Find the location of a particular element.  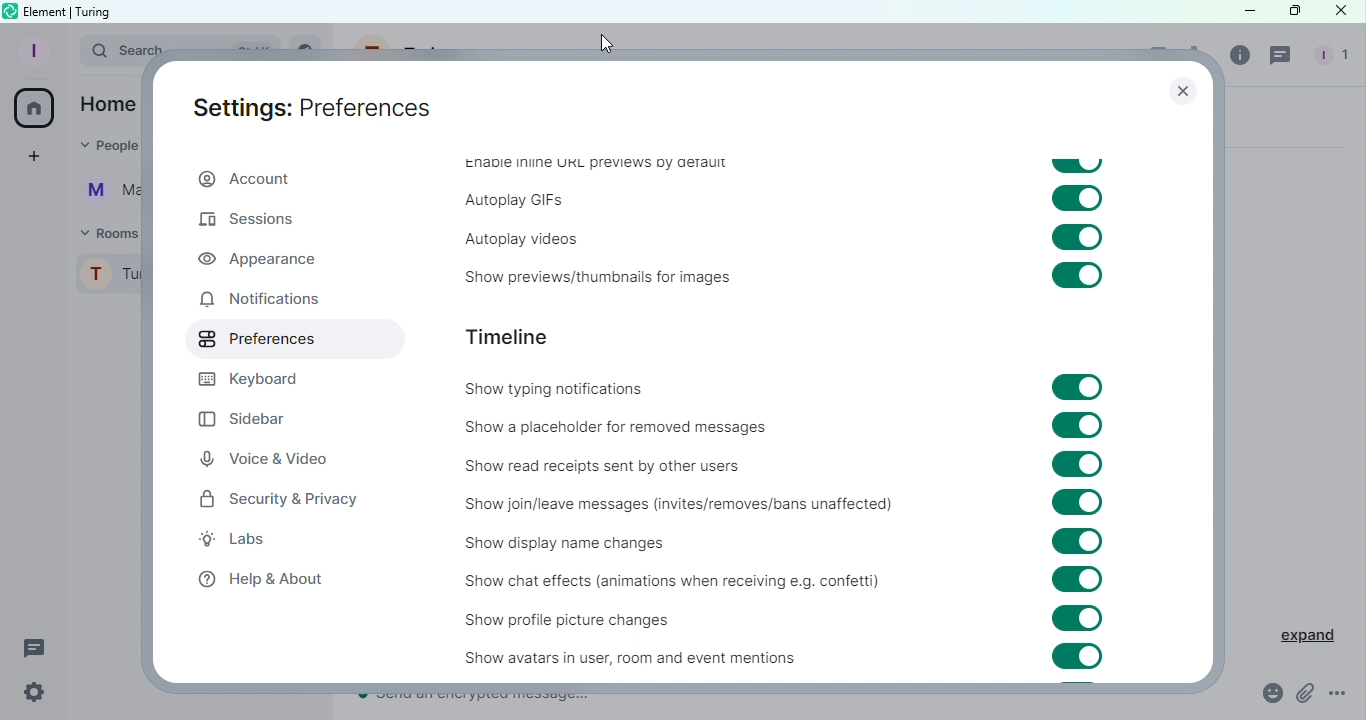

Room info is located at coordinates (1243, 56).